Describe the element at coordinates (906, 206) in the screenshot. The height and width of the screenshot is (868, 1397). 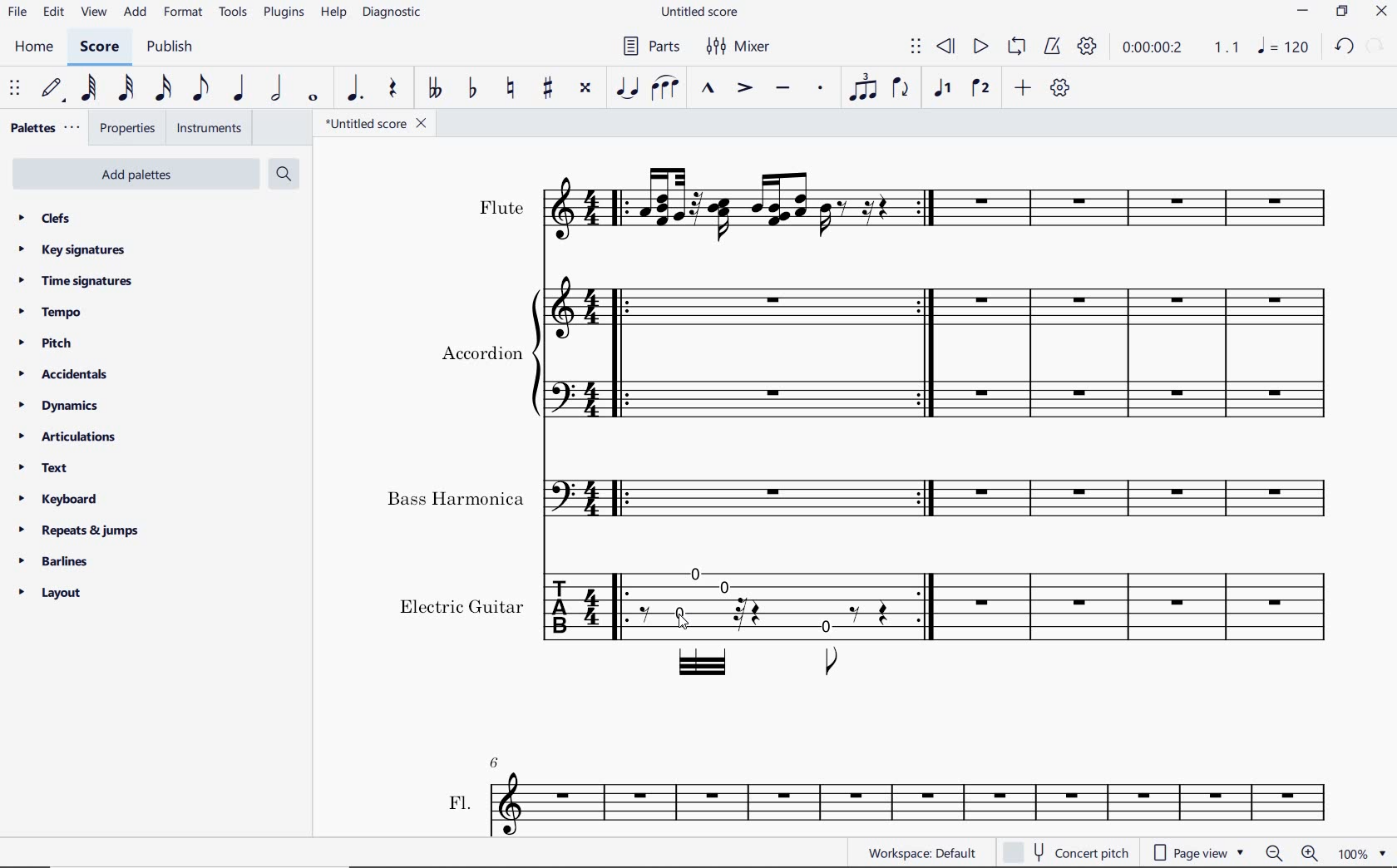
I see `Instrument: Flute` at that location.